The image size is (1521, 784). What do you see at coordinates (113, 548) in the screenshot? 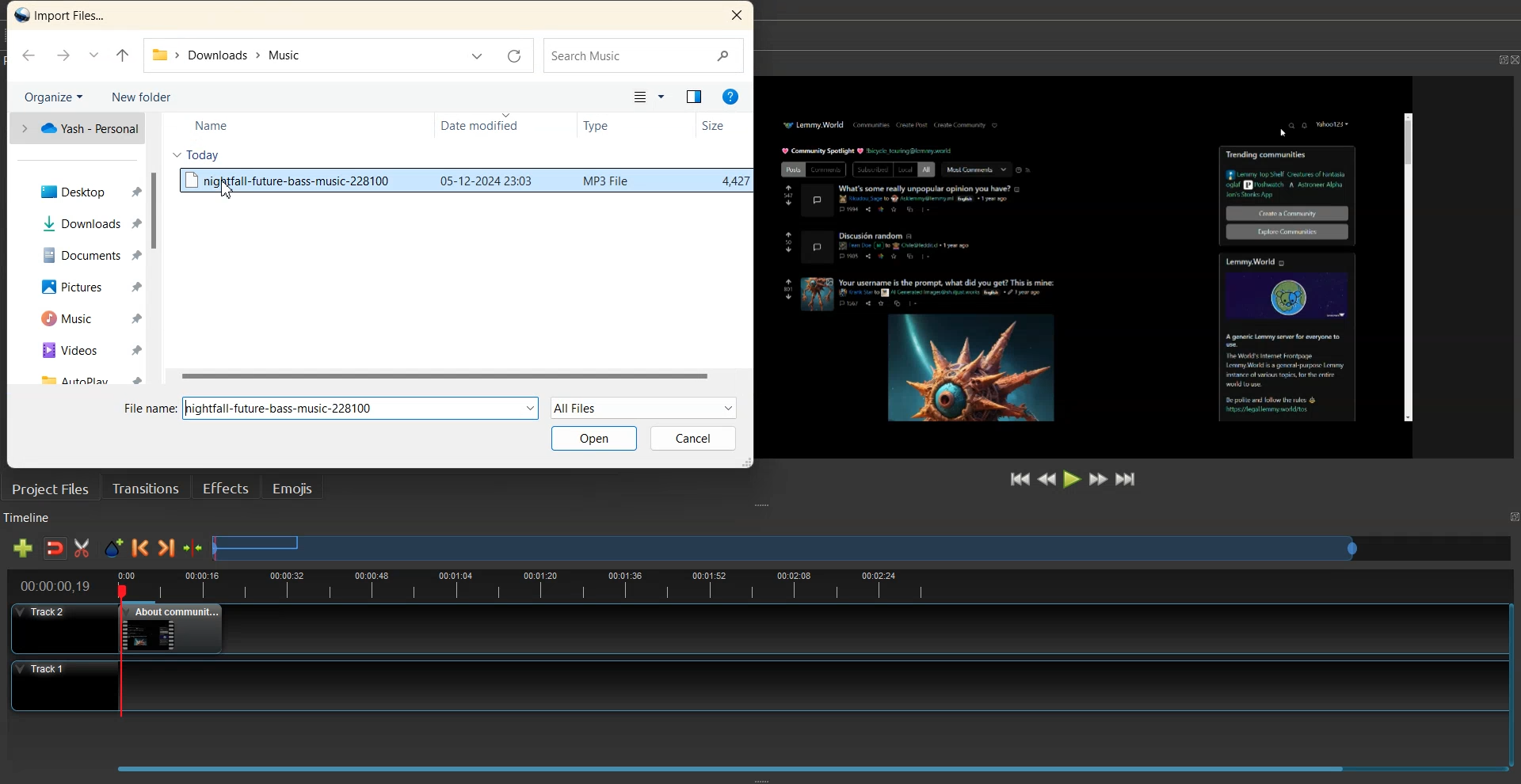
I see `Add Marker` at bounding box center [113, 548].